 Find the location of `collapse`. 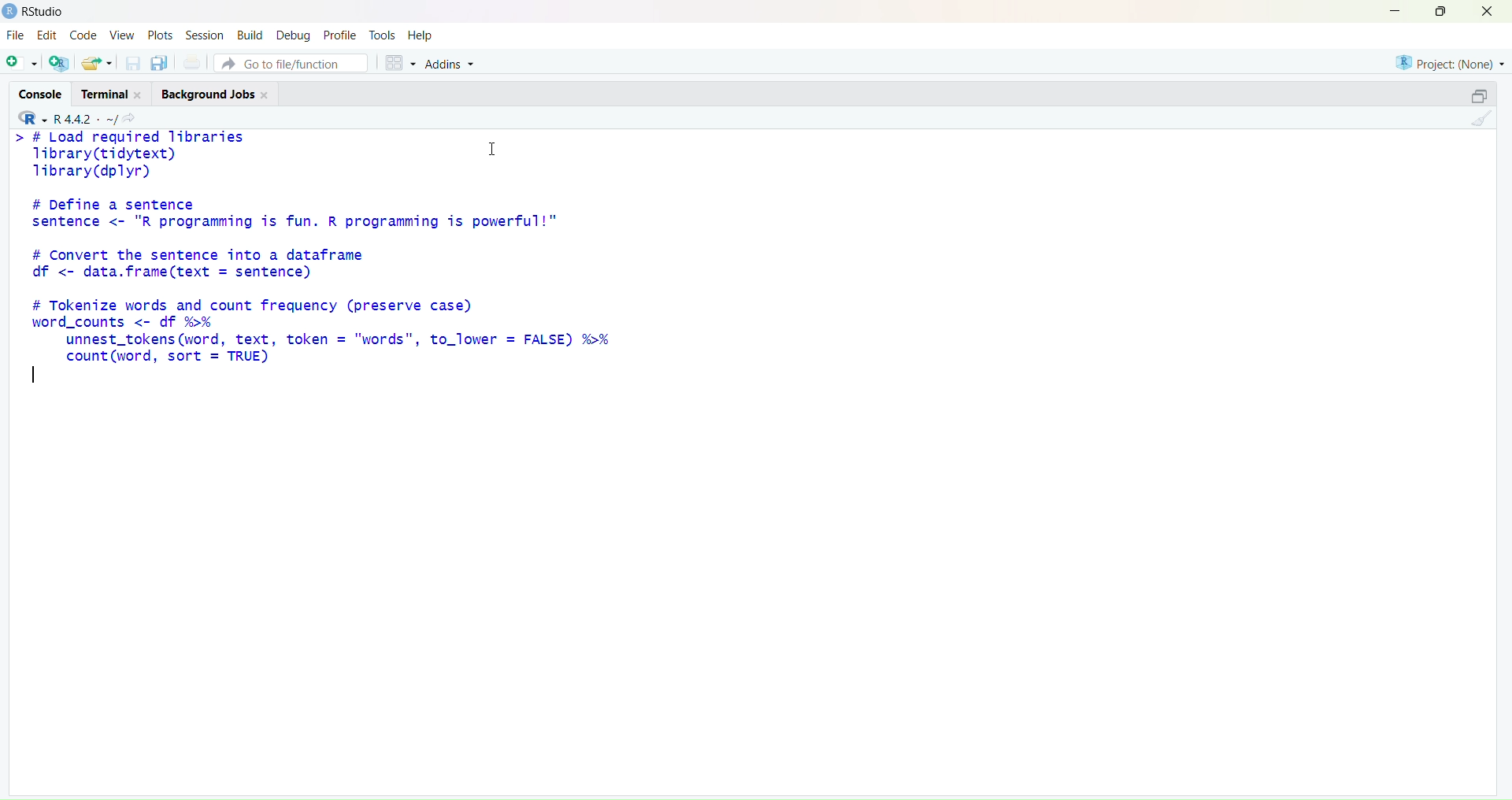

collapse is located at coordinates (1481, 95).